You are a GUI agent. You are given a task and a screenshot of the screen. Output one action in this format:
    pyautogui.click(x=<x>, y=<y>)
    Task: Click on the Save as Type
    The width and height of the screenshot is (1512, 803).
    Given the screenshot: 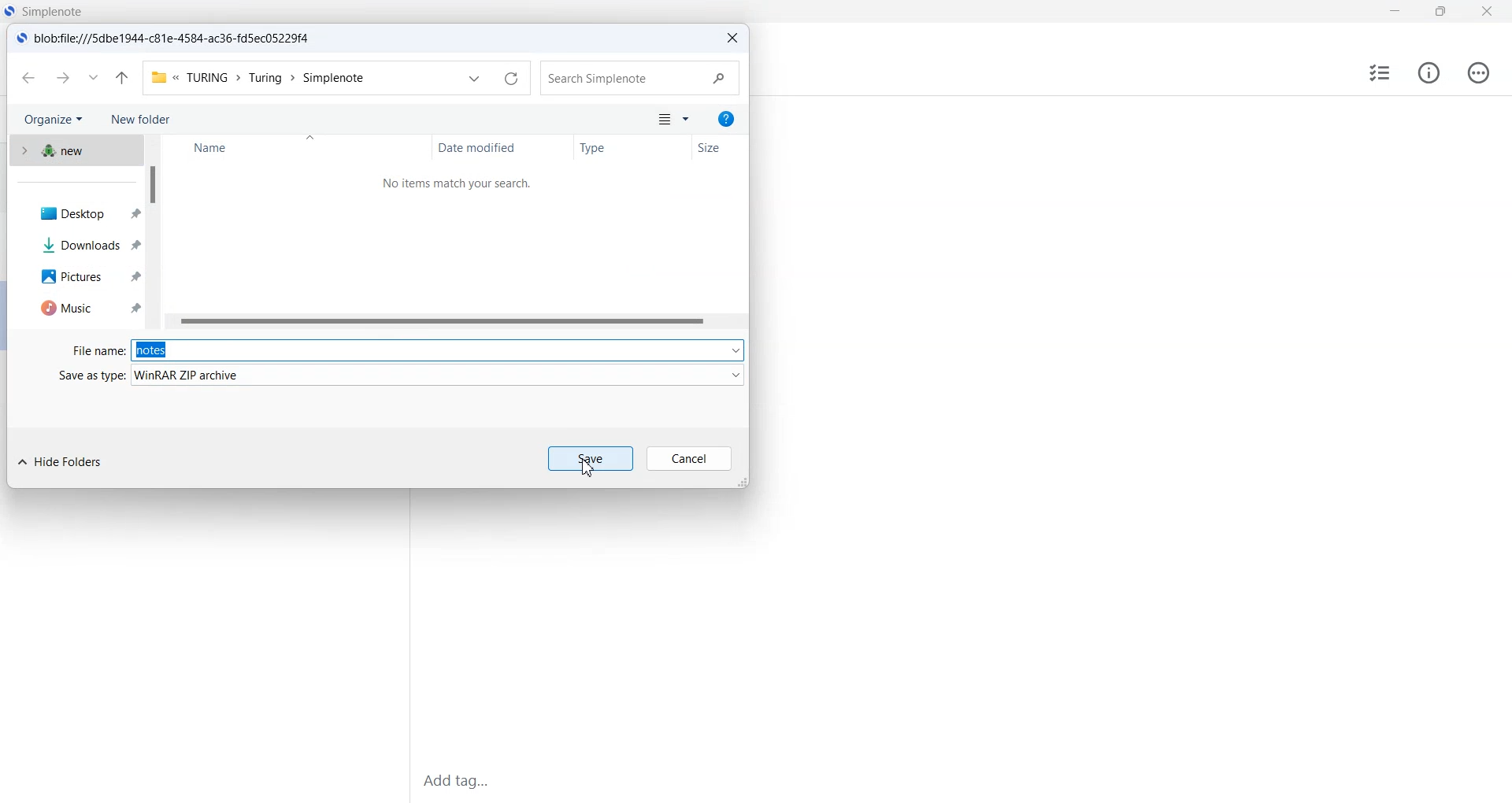 What is the action you would take?
    pyautogui.click(x=89, y=376)
    